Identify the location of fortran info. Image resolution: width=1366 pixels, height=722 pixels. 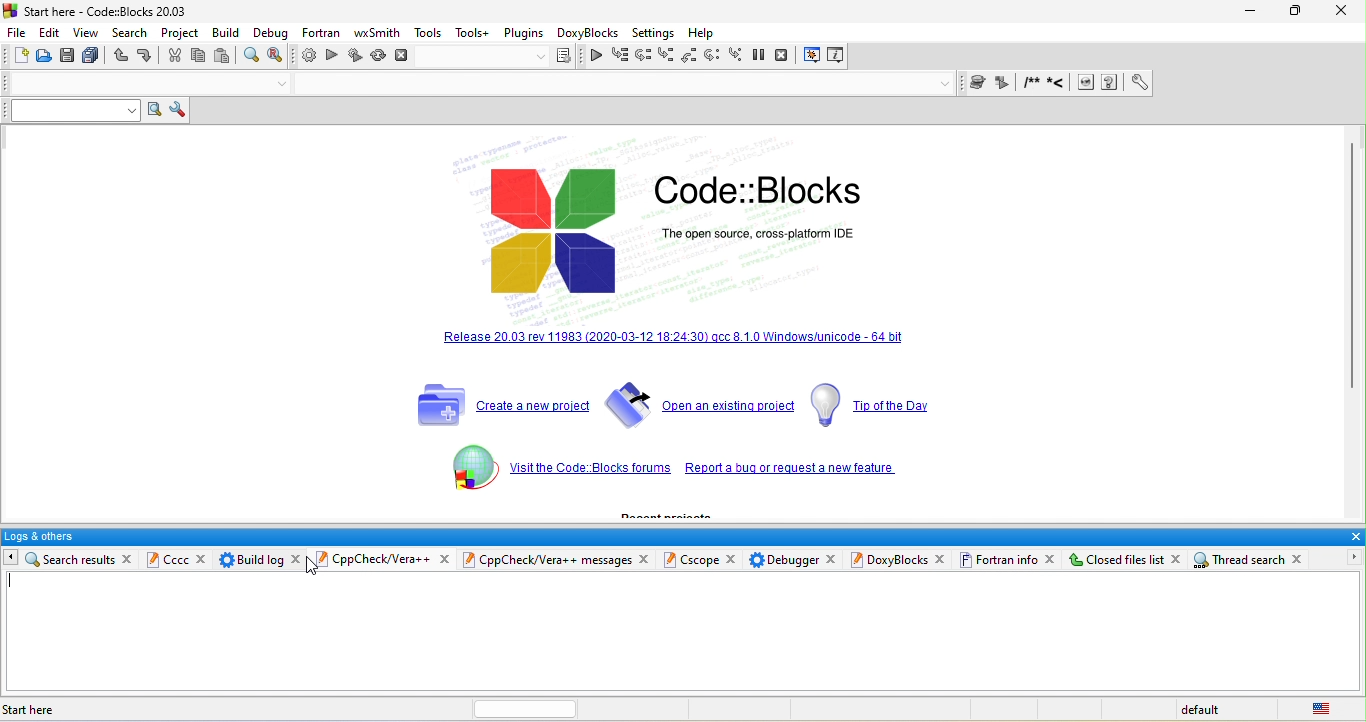
(999, 560).